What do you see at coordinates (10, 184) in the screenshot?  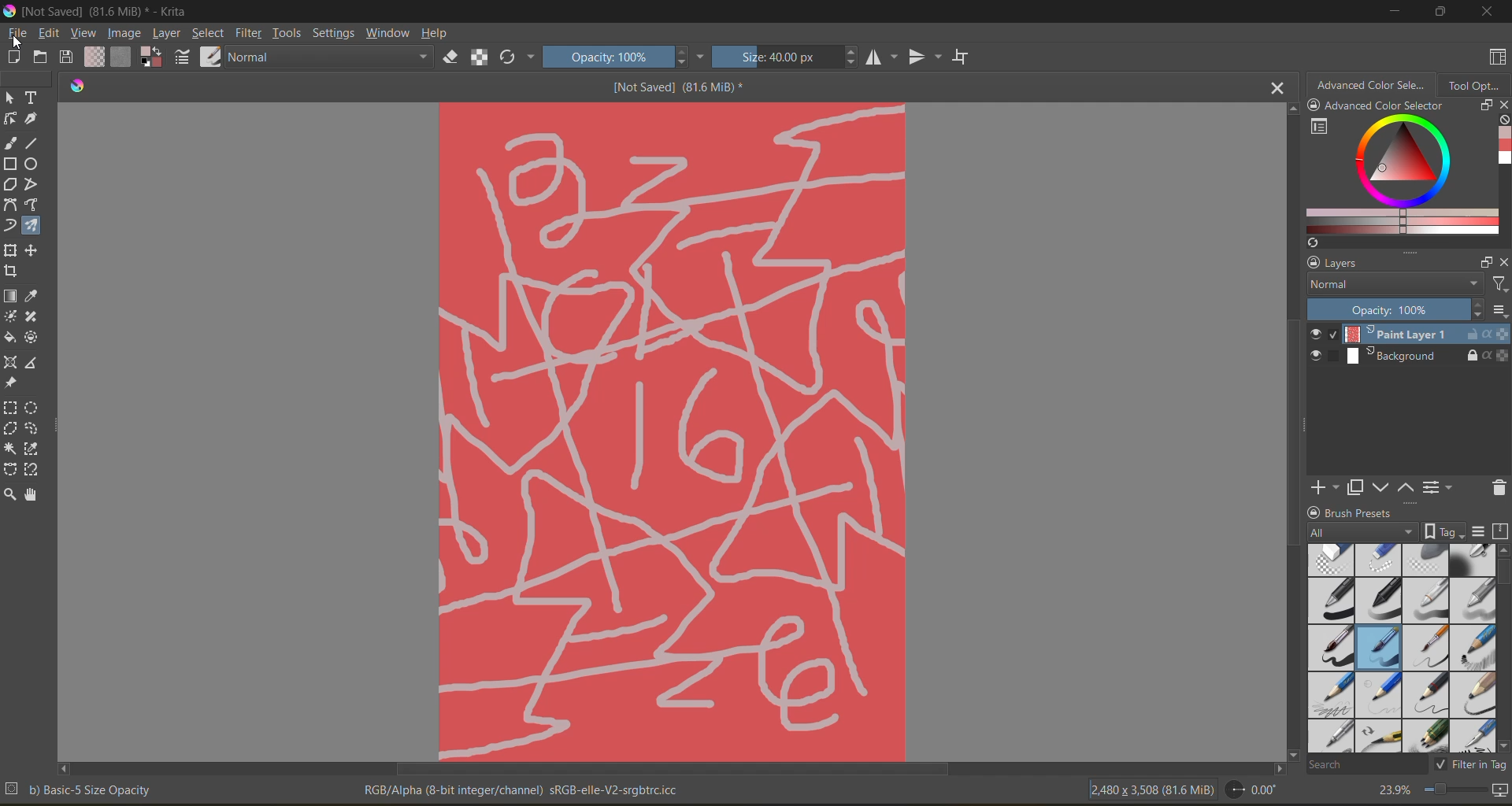 I see `tool` at bounding box center [10, 184].